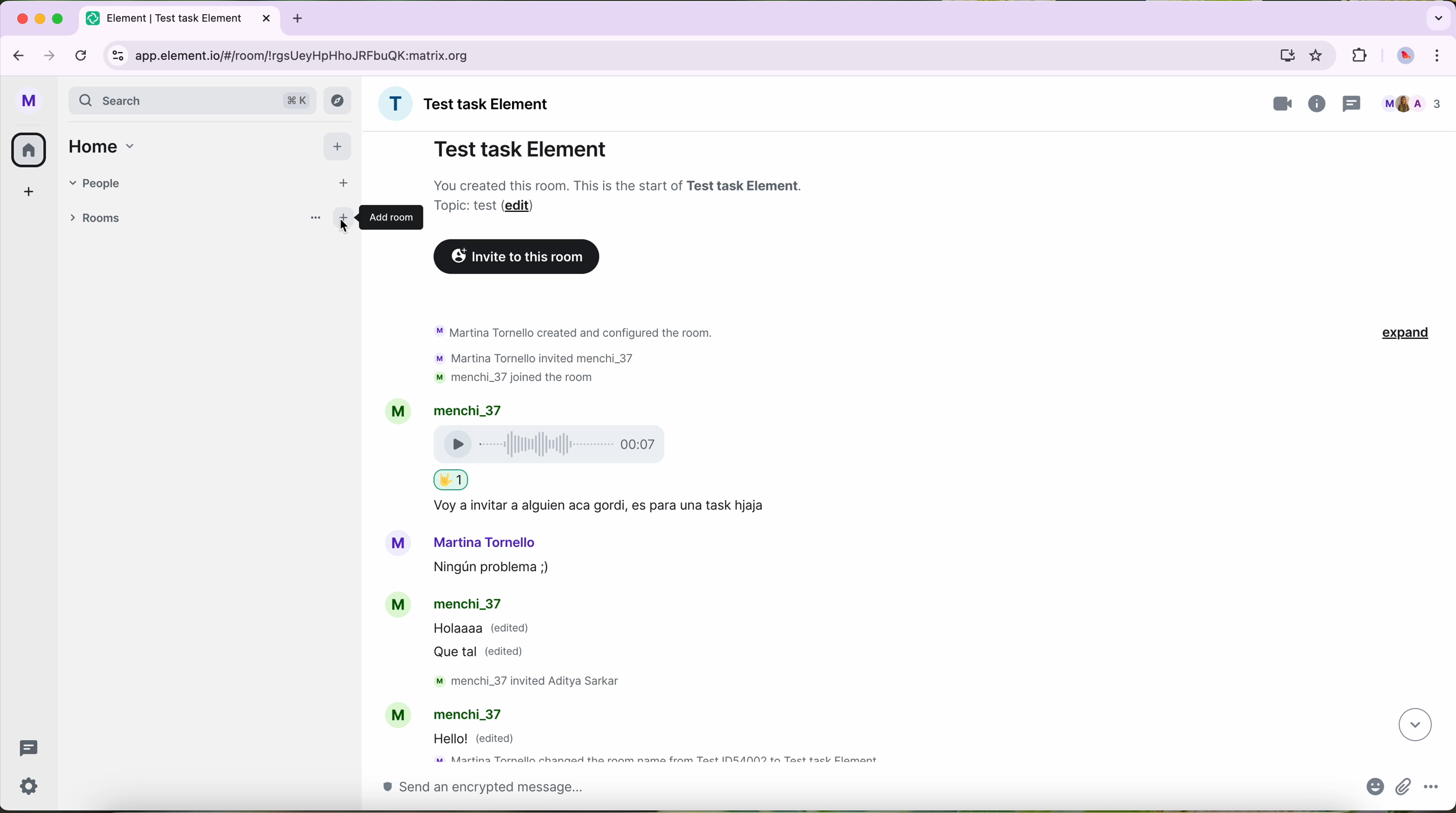 Image resolution: width=1456 pixels, height=813 pixels. Describe the element at coordinates (339, 103) in the screenshot. I see `explore button` at that location.